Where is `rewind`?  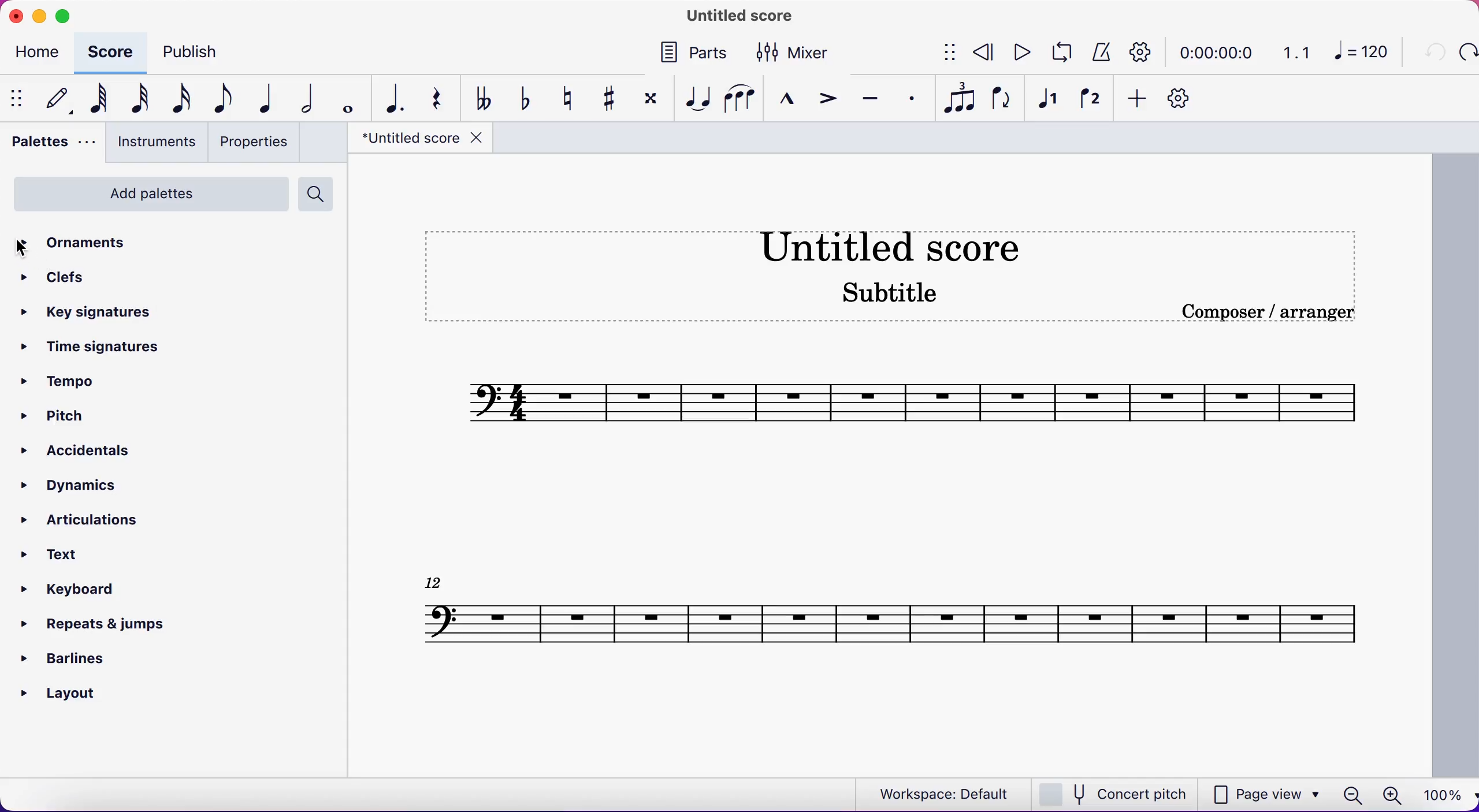 rewind is located at coordinates (984, 54).